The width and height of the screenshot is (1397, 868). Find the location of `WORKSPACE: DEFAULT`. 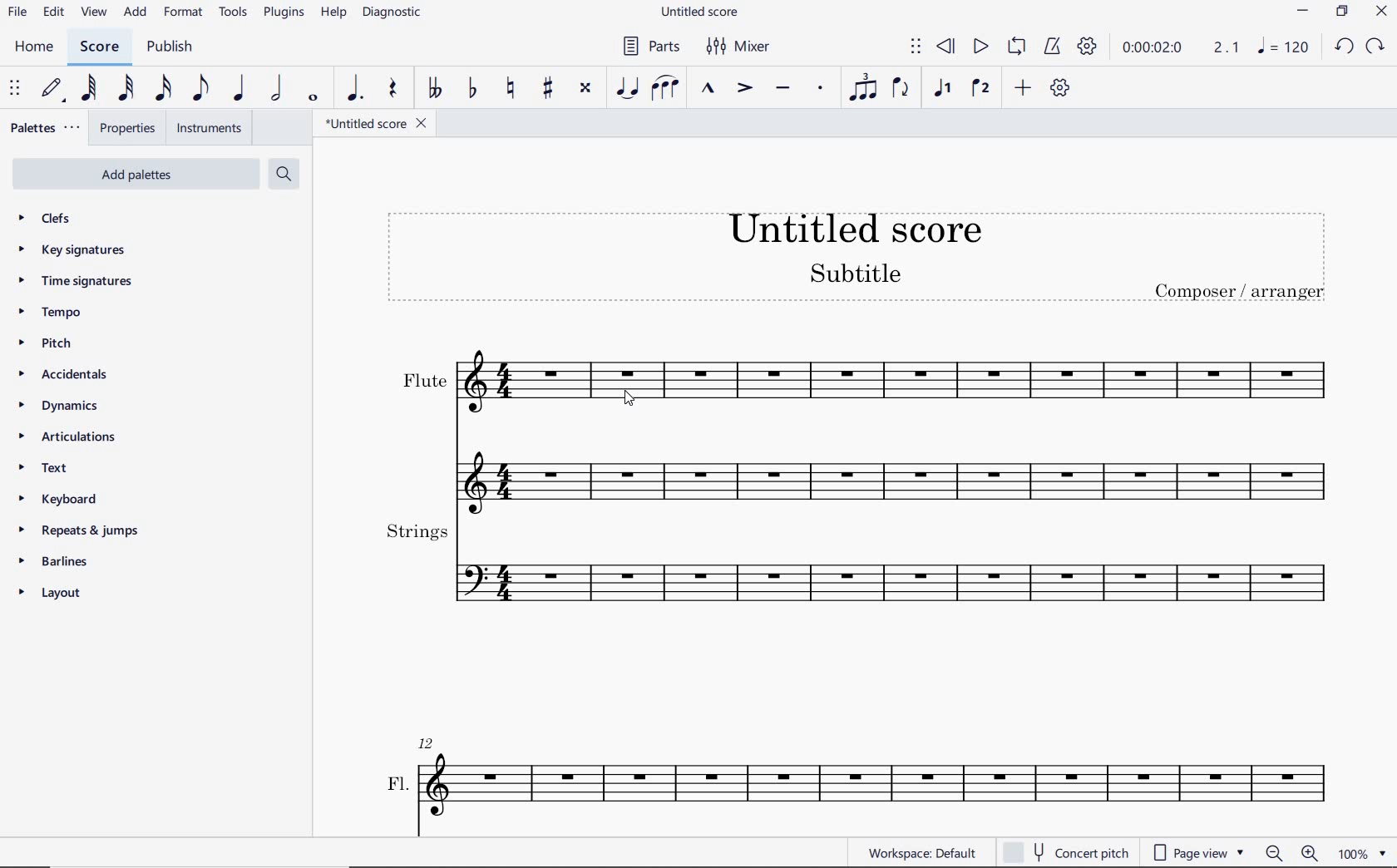

WORKSPACE: DEFAULT is located at coordinates (924, 850).